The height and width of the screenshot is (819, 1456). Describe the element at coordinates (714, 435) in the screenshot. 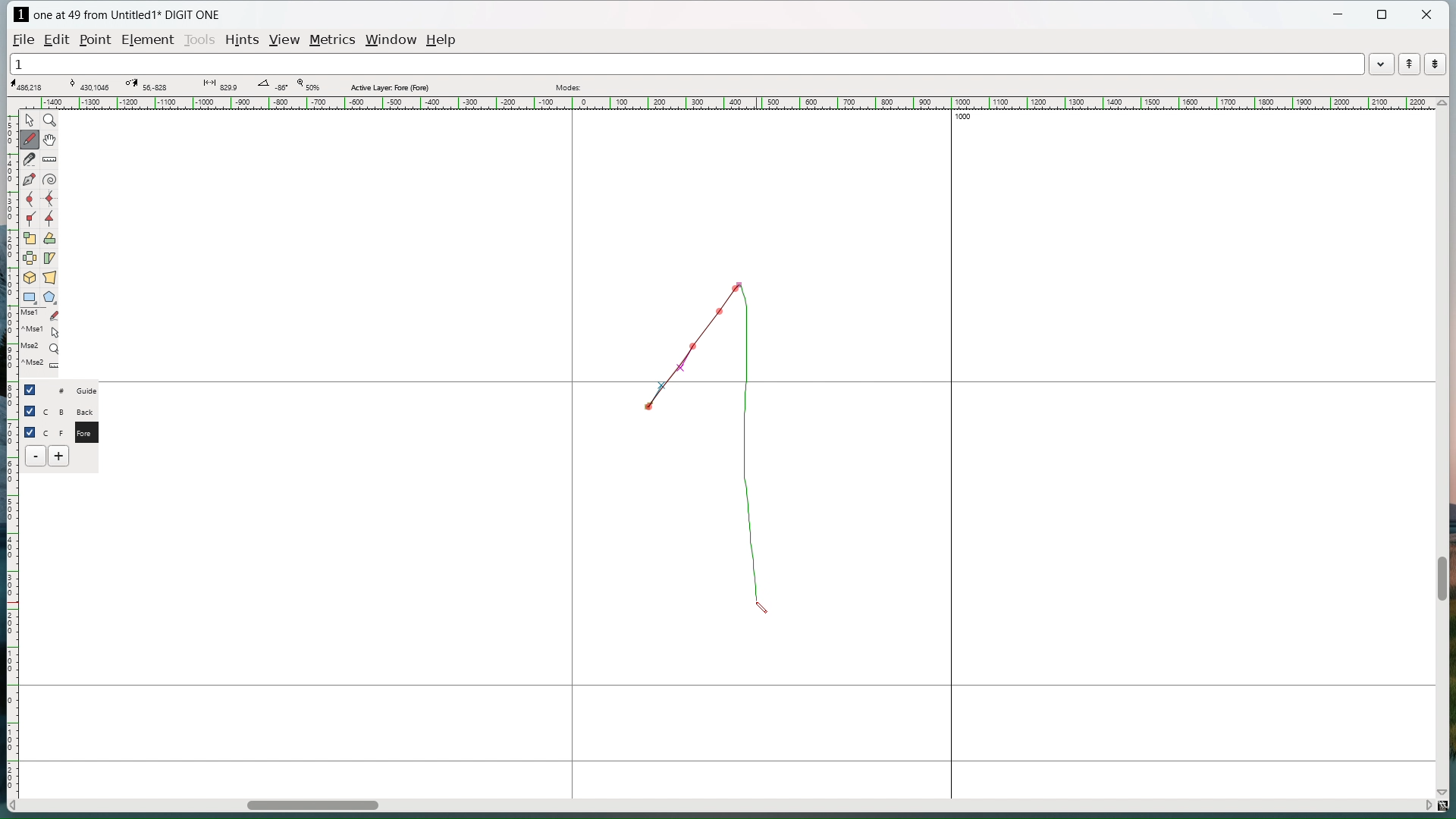

I see `Dotted line graph` at that location.